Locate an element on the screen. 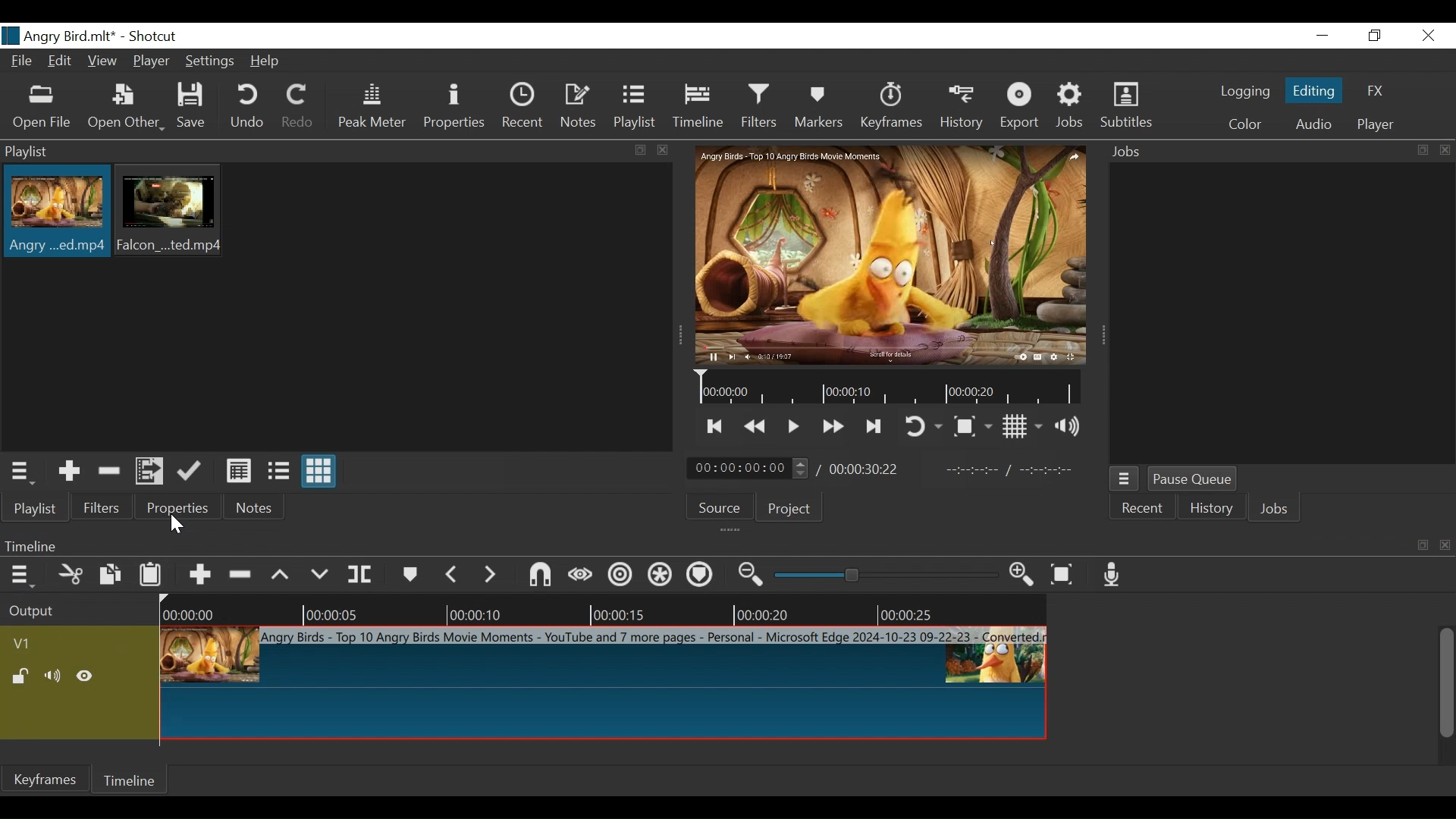  Split at playhead is located at coordinates (362, 576).